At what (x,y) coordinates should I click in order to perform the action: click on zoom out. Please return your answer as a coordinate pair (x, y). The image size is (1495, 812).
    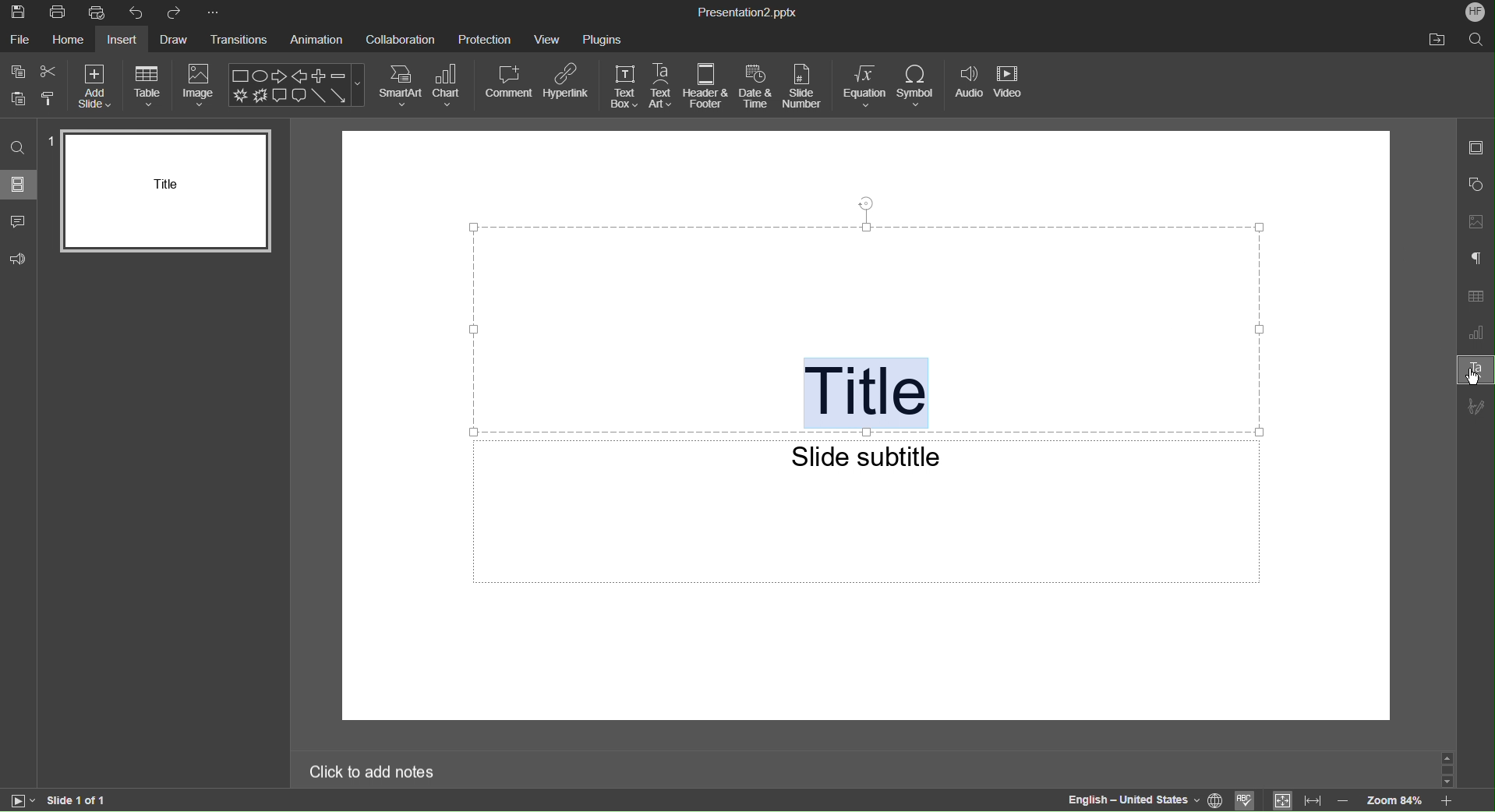
    Looking at the image, I should click on (1345, 799).